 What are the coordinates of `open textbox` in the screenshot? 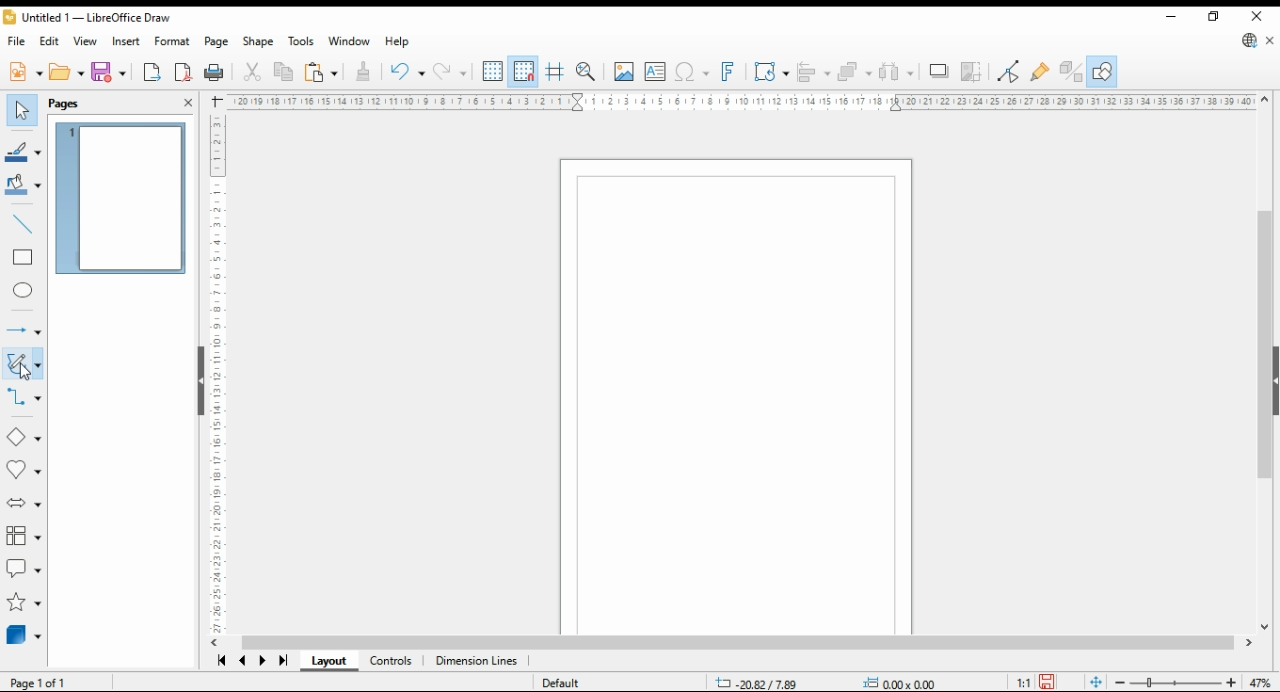 It's located at (656, 72).